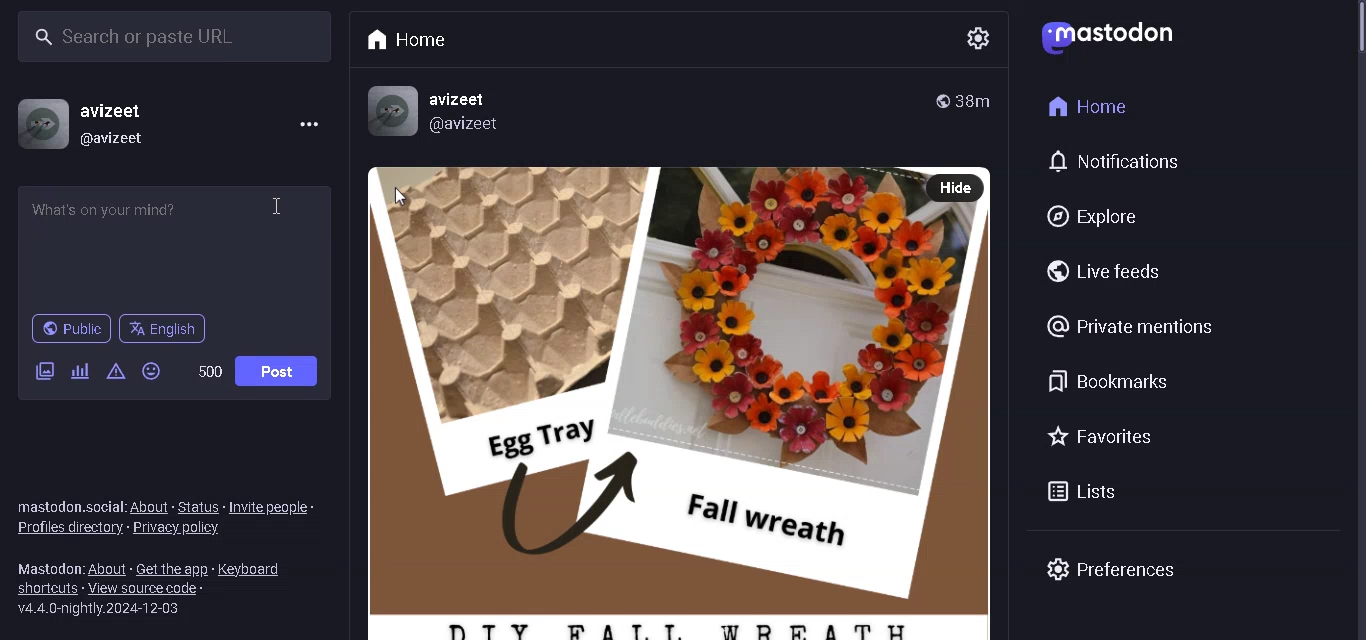 The width and height of the screenshot is (1366, 640). What do you see at coordinates (148, 588) in the screenshot?
I see `view source code` at bounding box center [148, 588].